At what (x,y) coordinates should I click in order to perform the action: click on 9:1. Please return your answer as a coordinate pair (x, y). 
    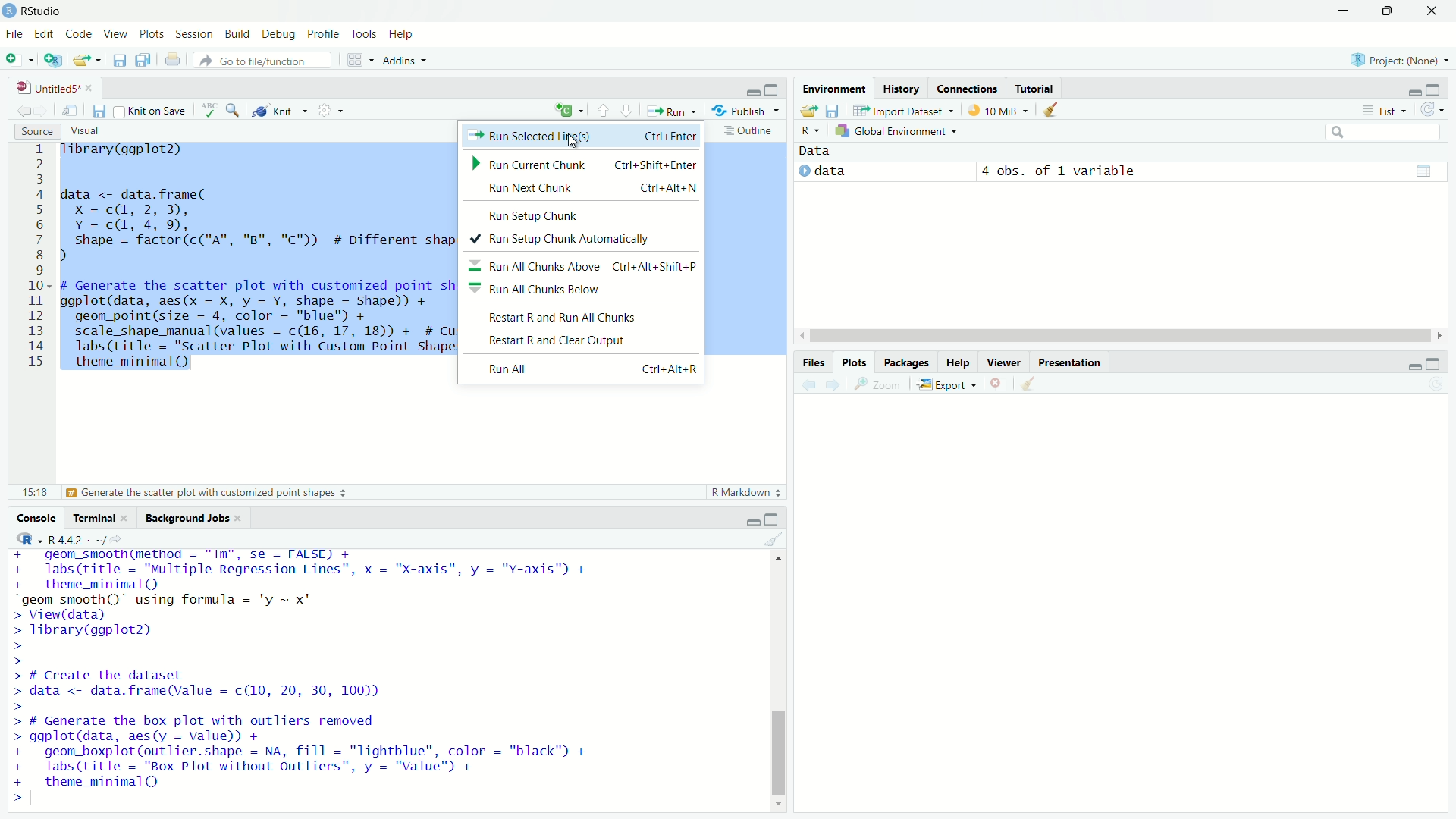
    Looking at the image, I should click on (33, 492).